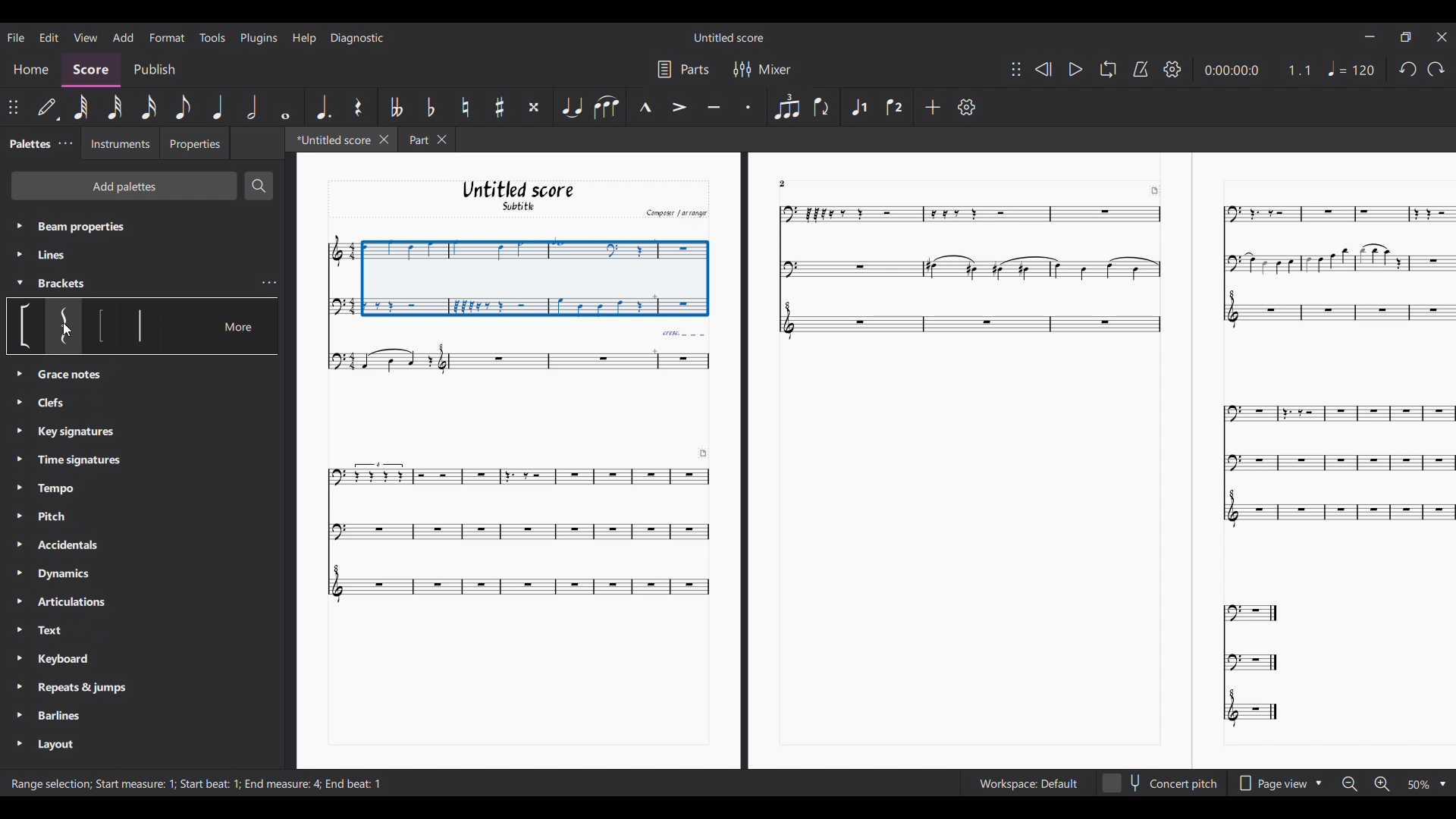 The image size is (1456, 819). What do you see at coordinates (136, 783) in the screenshot?
I see `start measure 1 ;` at bounding box center [136, 783].